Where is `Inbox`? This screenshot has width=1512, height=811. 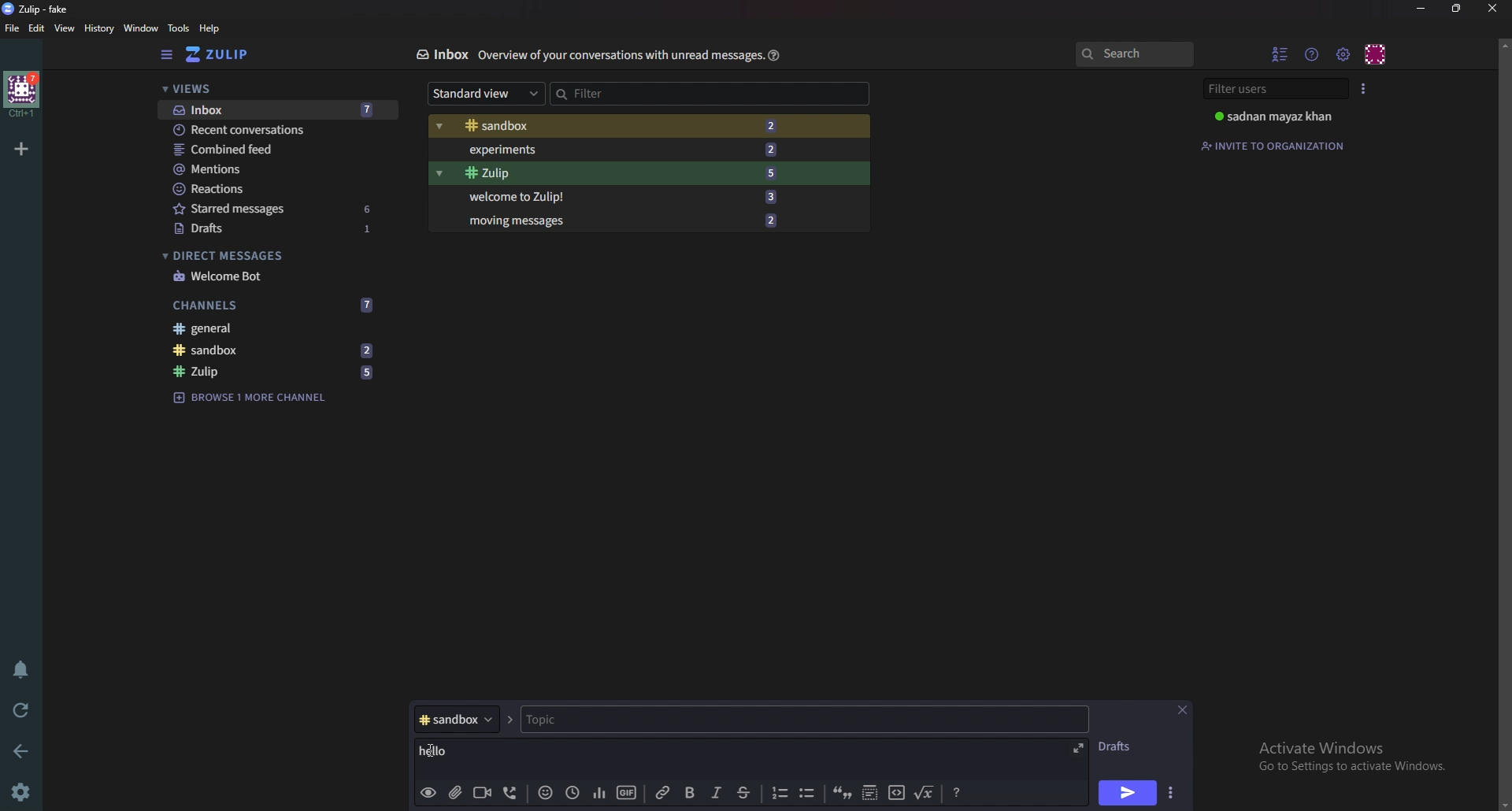
Inbox is located at coordinates (444, 54).